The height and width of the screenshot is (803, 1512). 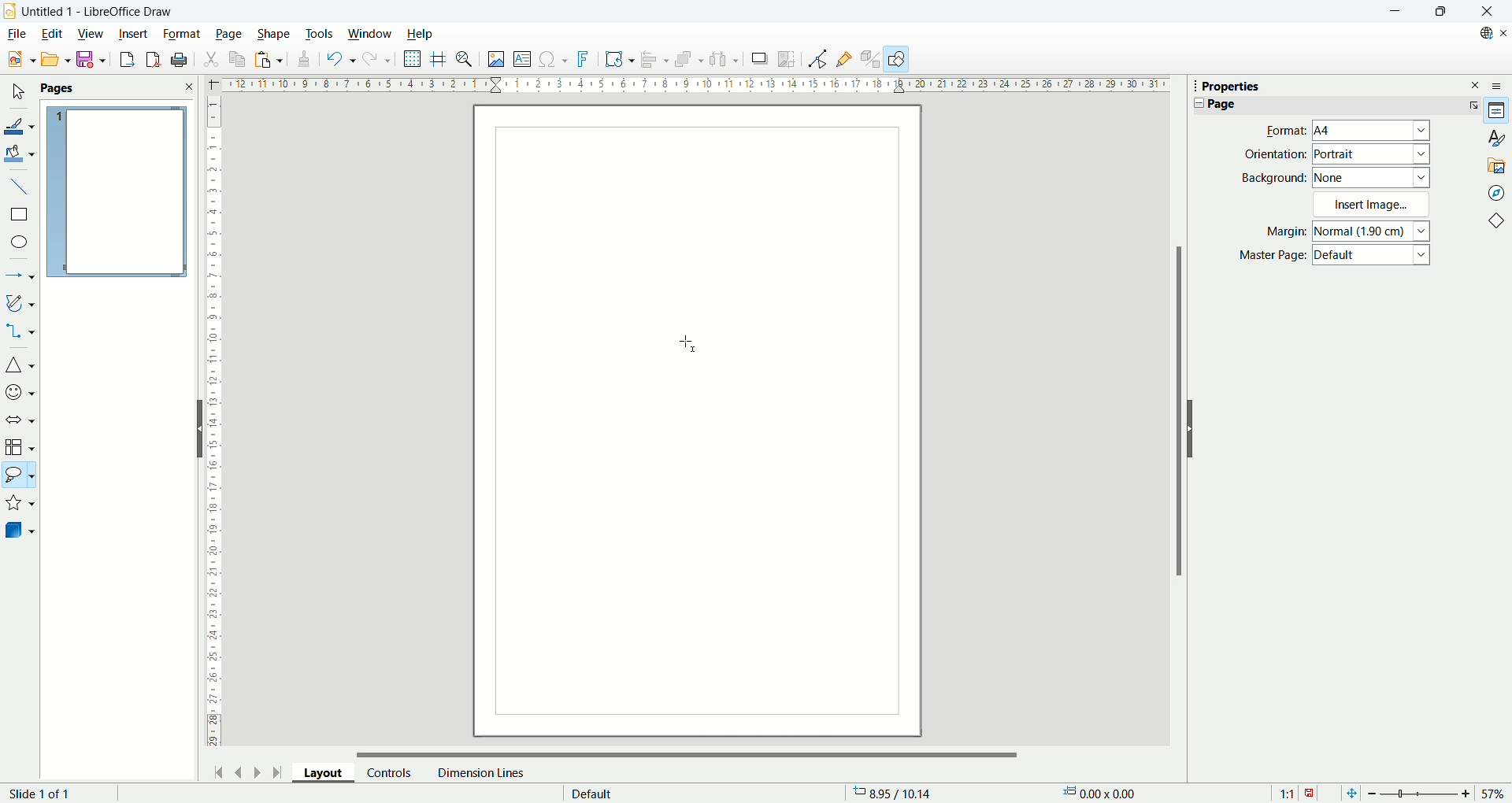 I want to click on default, so click(x=592, y=791).